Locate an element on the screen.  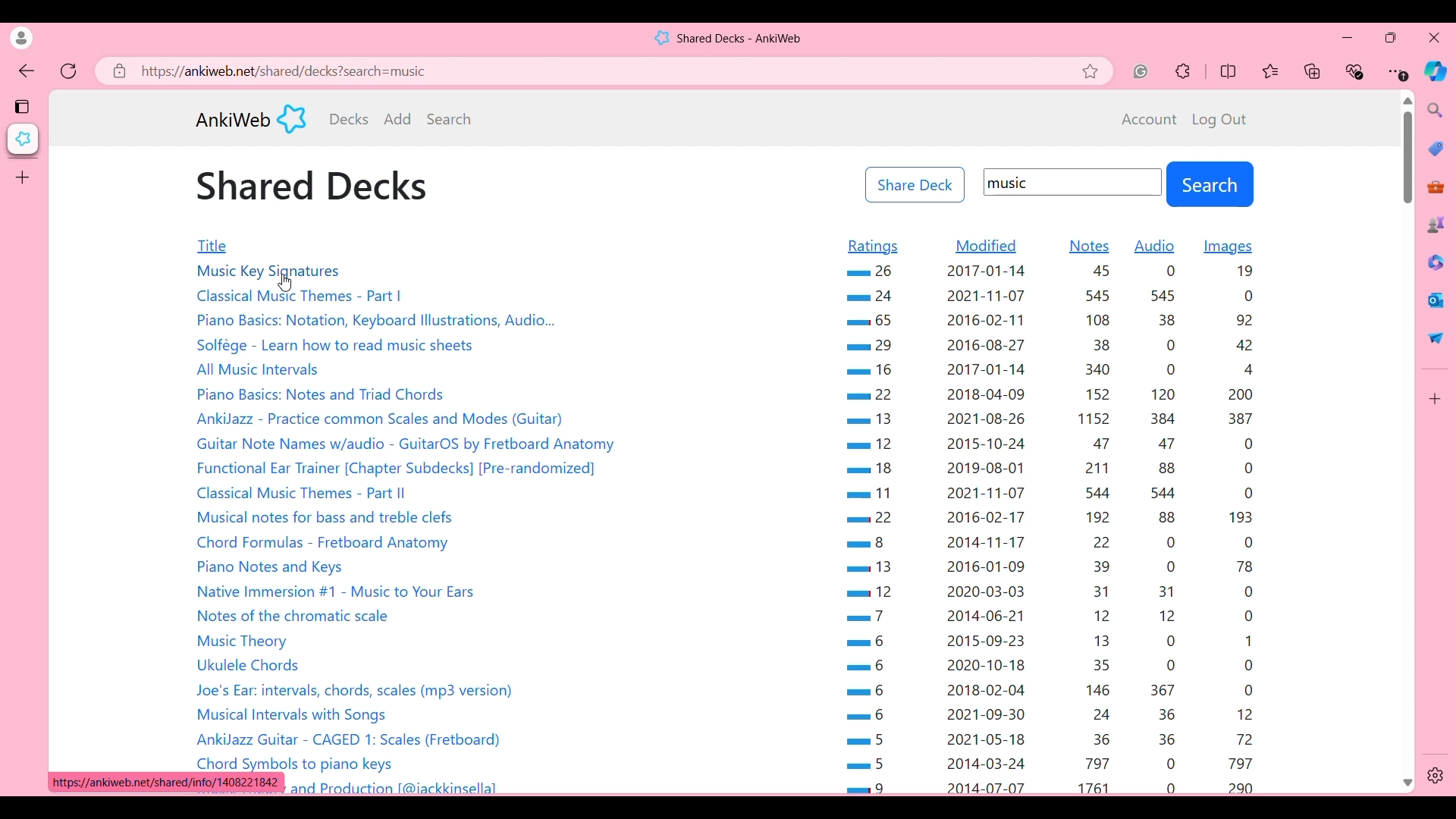
https://ankiweb.net/shared/info/ 1408221842 is located at coordinates (164, 783).